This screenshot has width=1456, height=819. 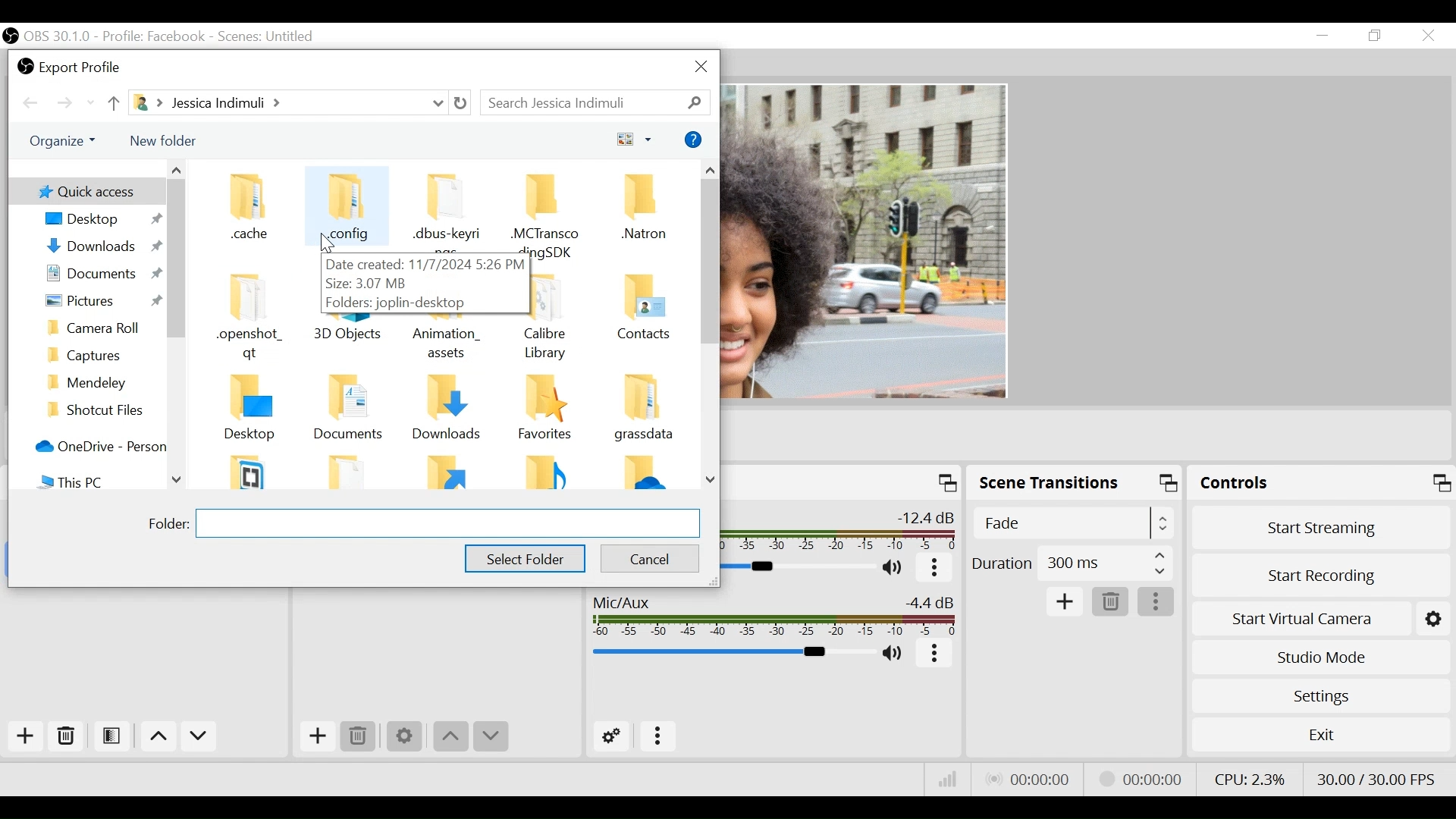 What do you see at coordinates (1322, 658) in the screenshot?
I see `Studio Mode` at bounding box center [1322, 658].